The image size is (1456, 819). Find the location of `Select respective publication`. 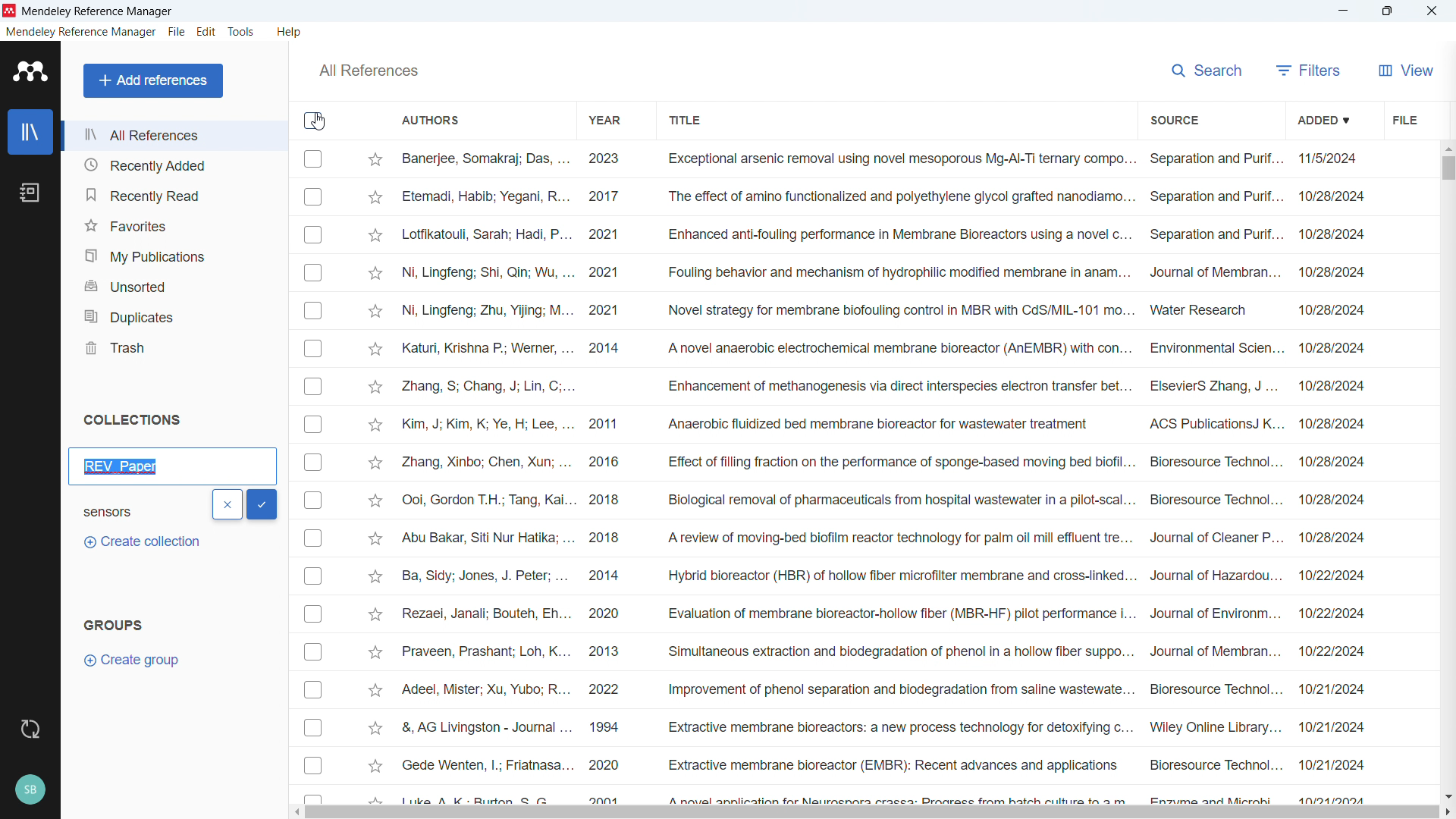

Select respective publication is located at coordinates (313, 273).